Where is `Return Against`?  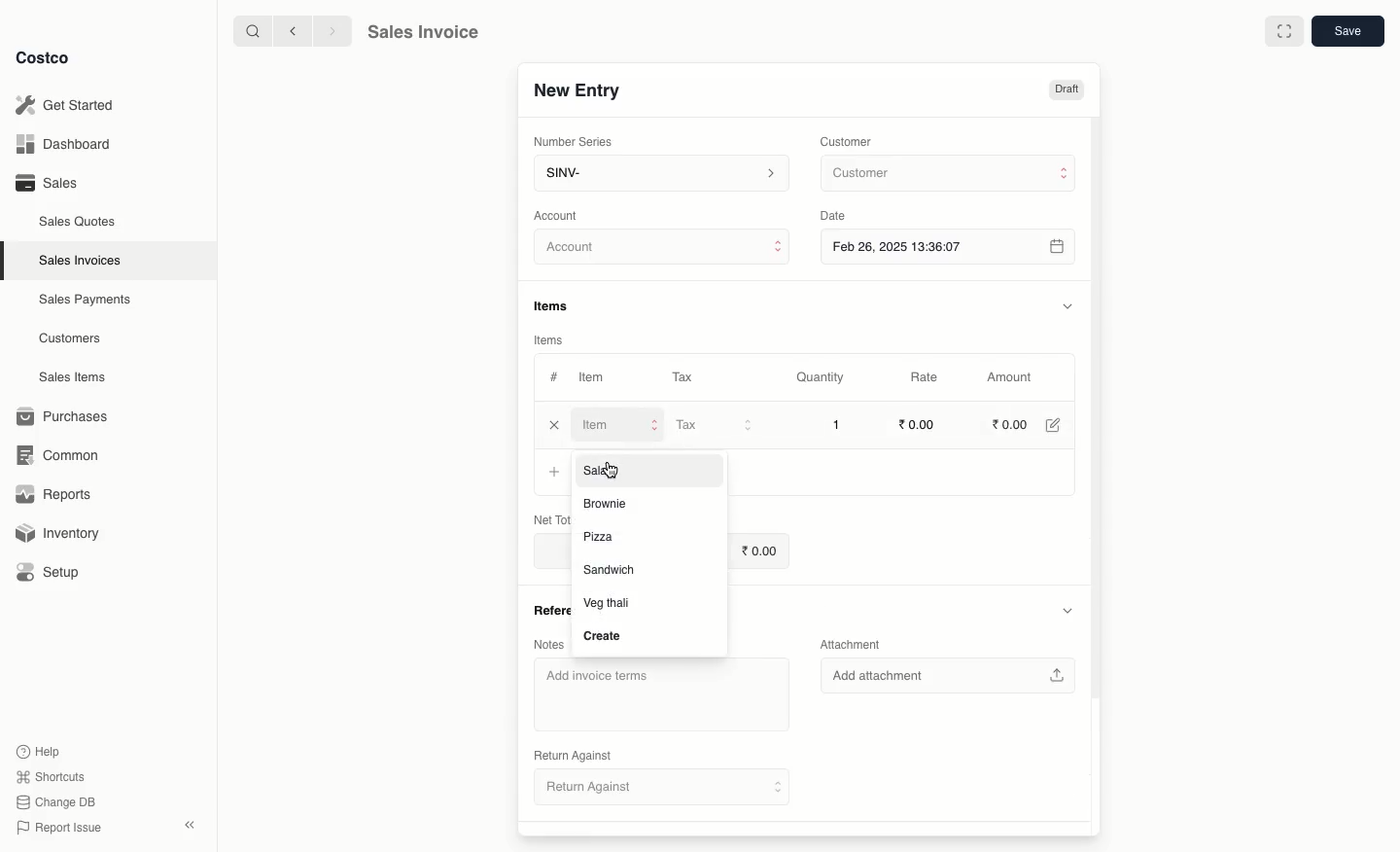 Return Against is located at coordinates (664, 790).